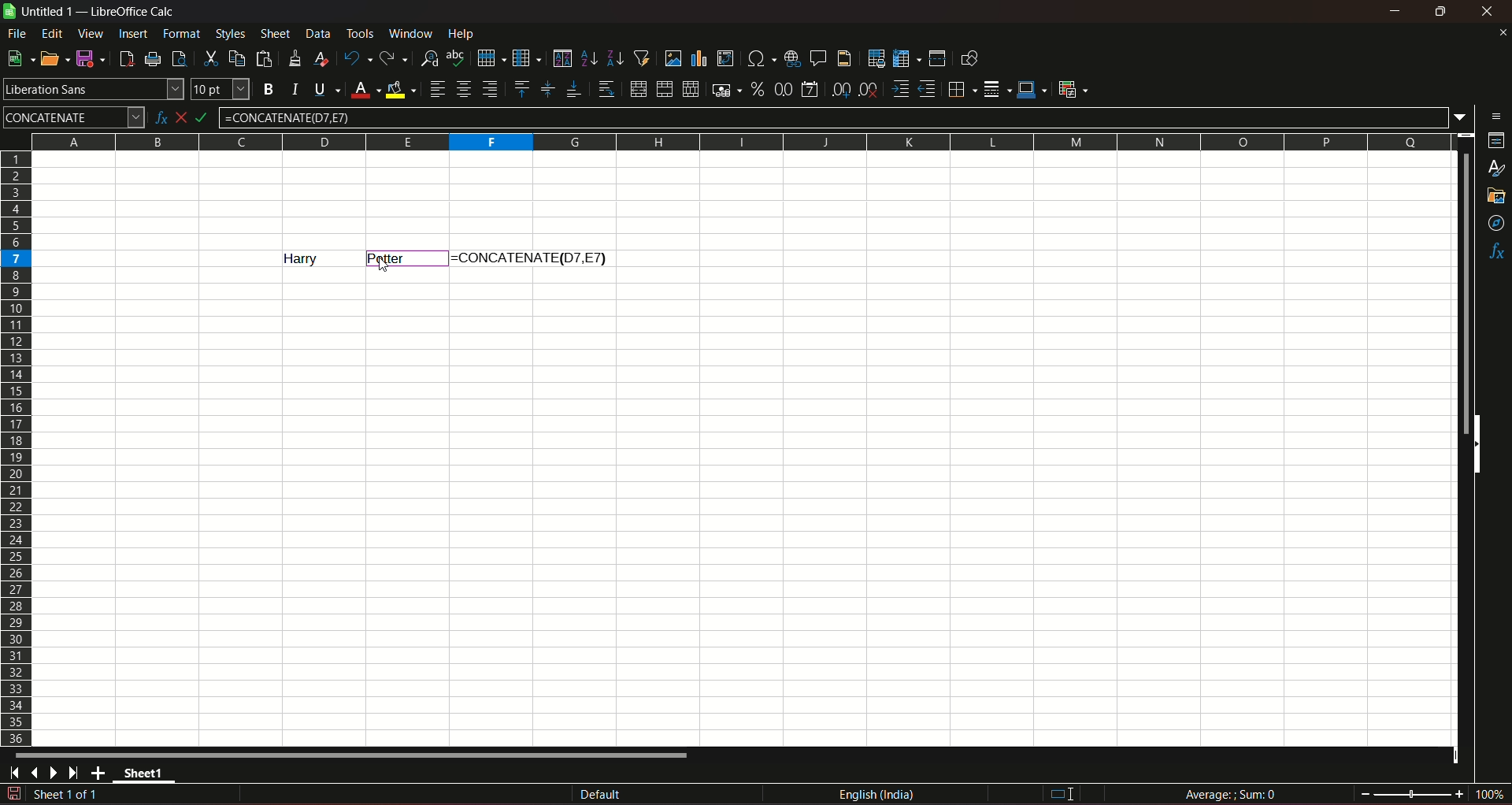 Image resolution: width=1512 pixels, height=805 pixels. Describe the element at coordinates (725, 90) in the screenshot. I see `format as currency` at that location.